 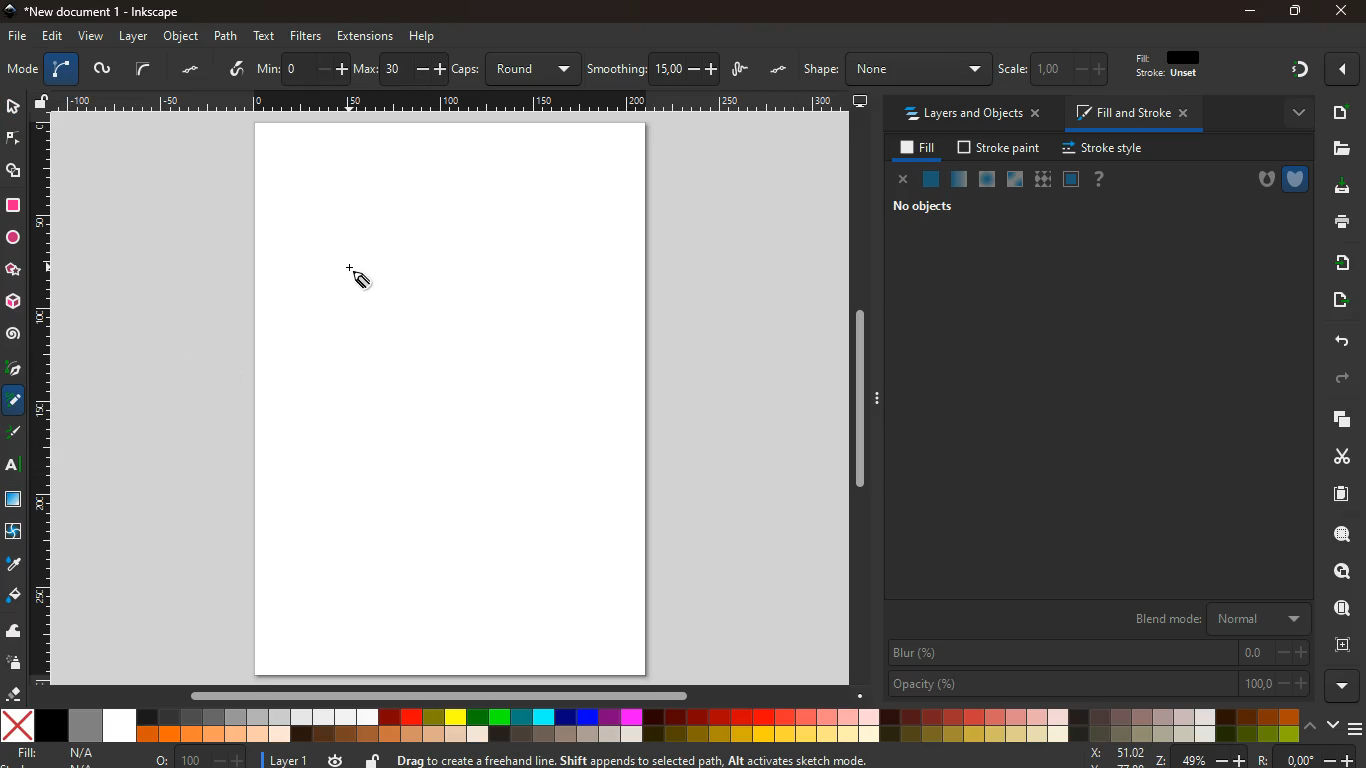 I want to click on color, so click(x=651, y=725).